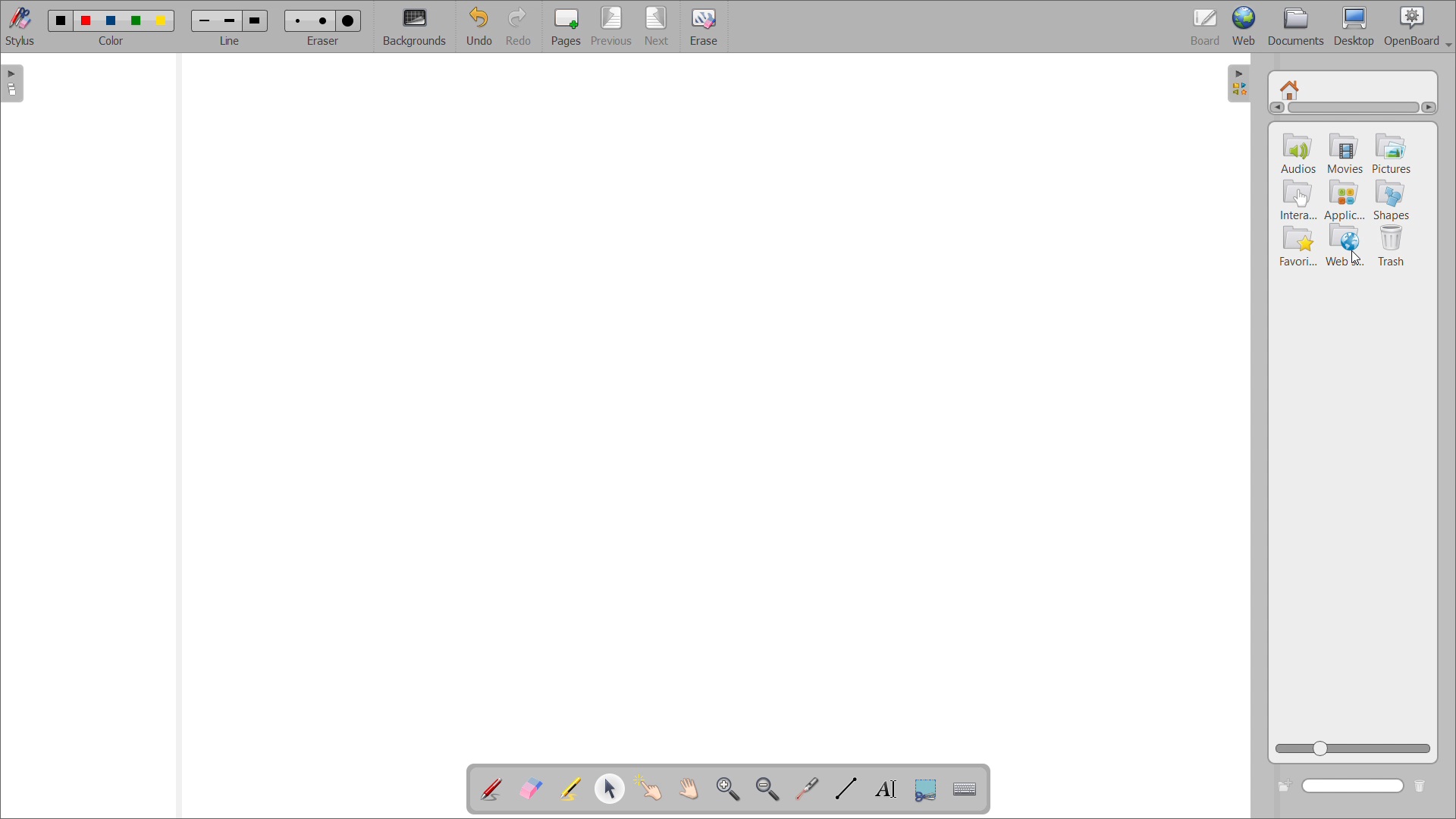  What do you see at coordinates (1206, 27) in the screenshot?
I see `board` at bounding box center [1206, 27].